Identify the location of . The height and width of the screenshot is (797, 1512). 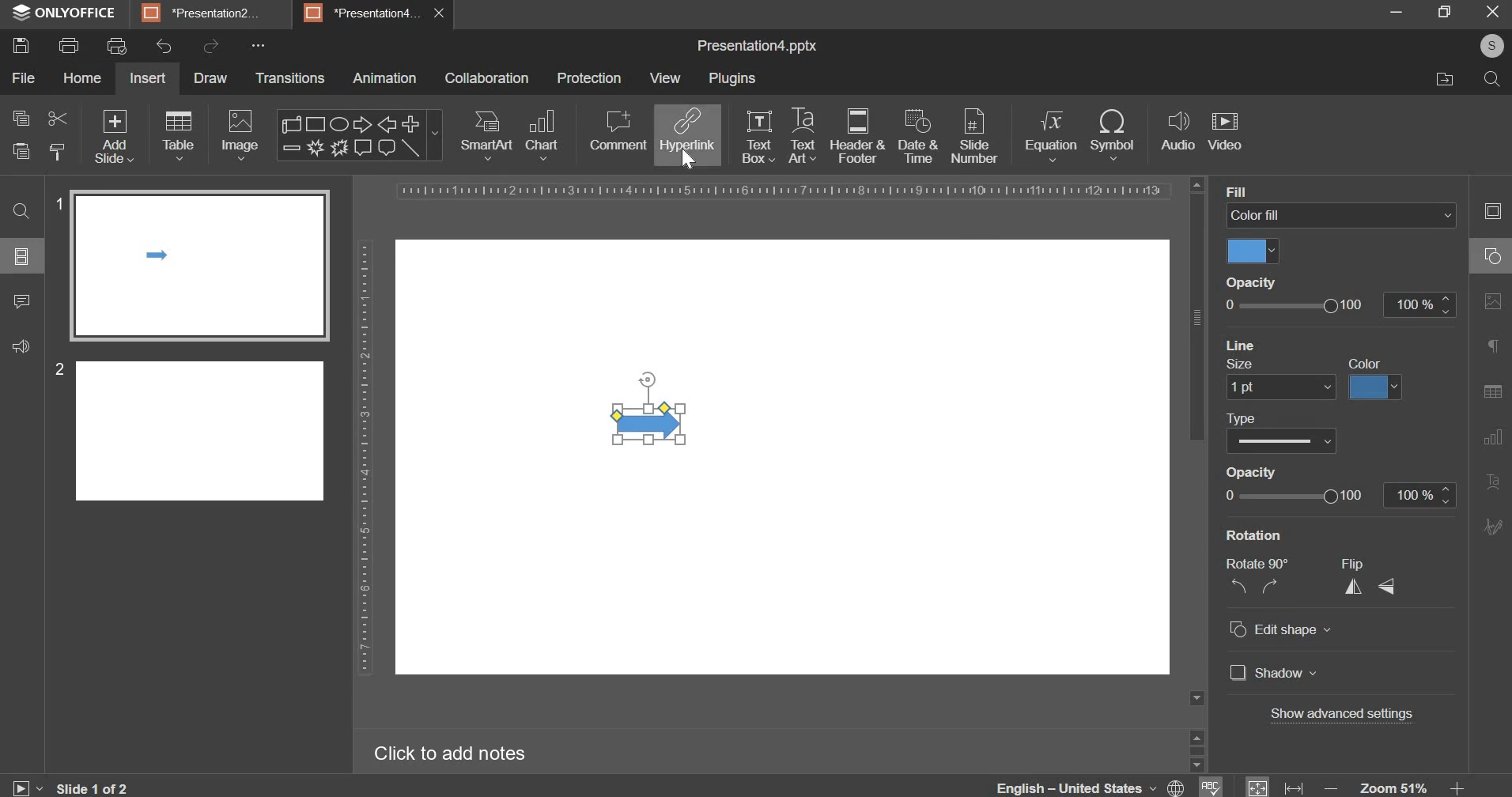
(255, 46).